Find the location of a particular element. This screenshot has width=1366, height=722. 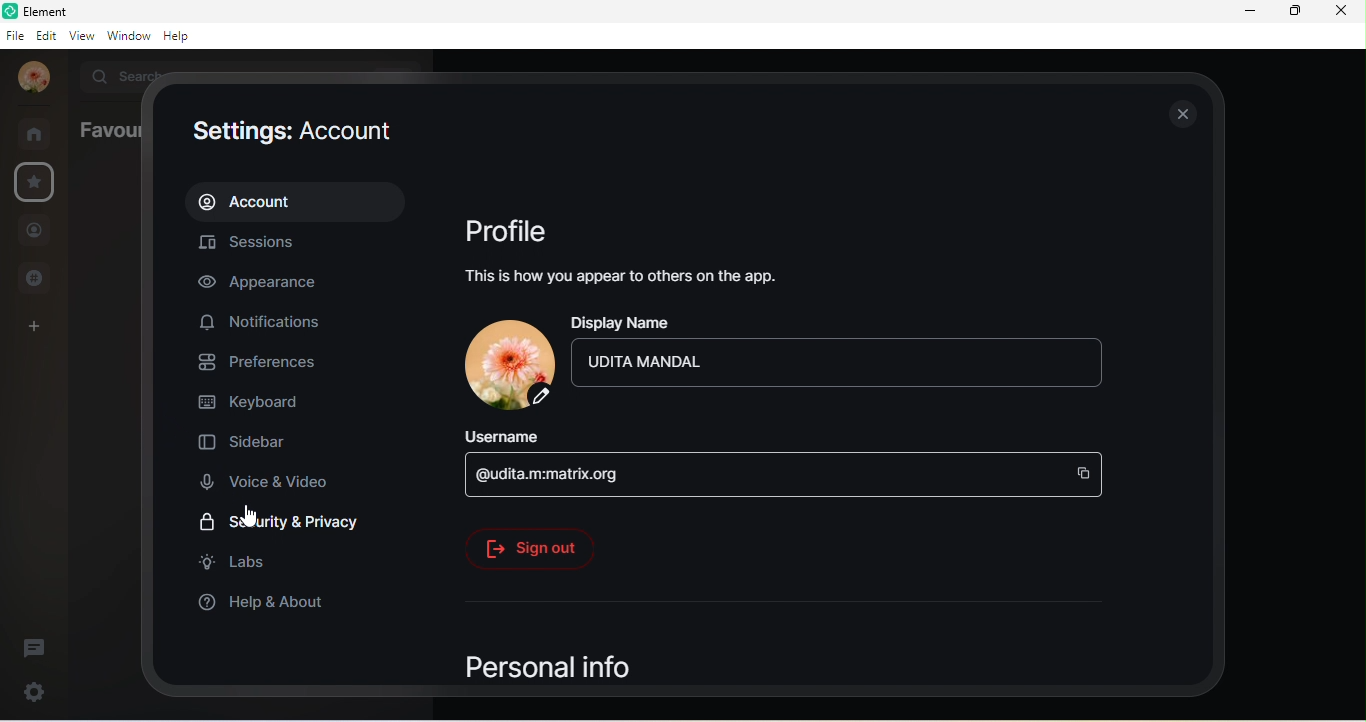

help is located at coordinates (181, 36).